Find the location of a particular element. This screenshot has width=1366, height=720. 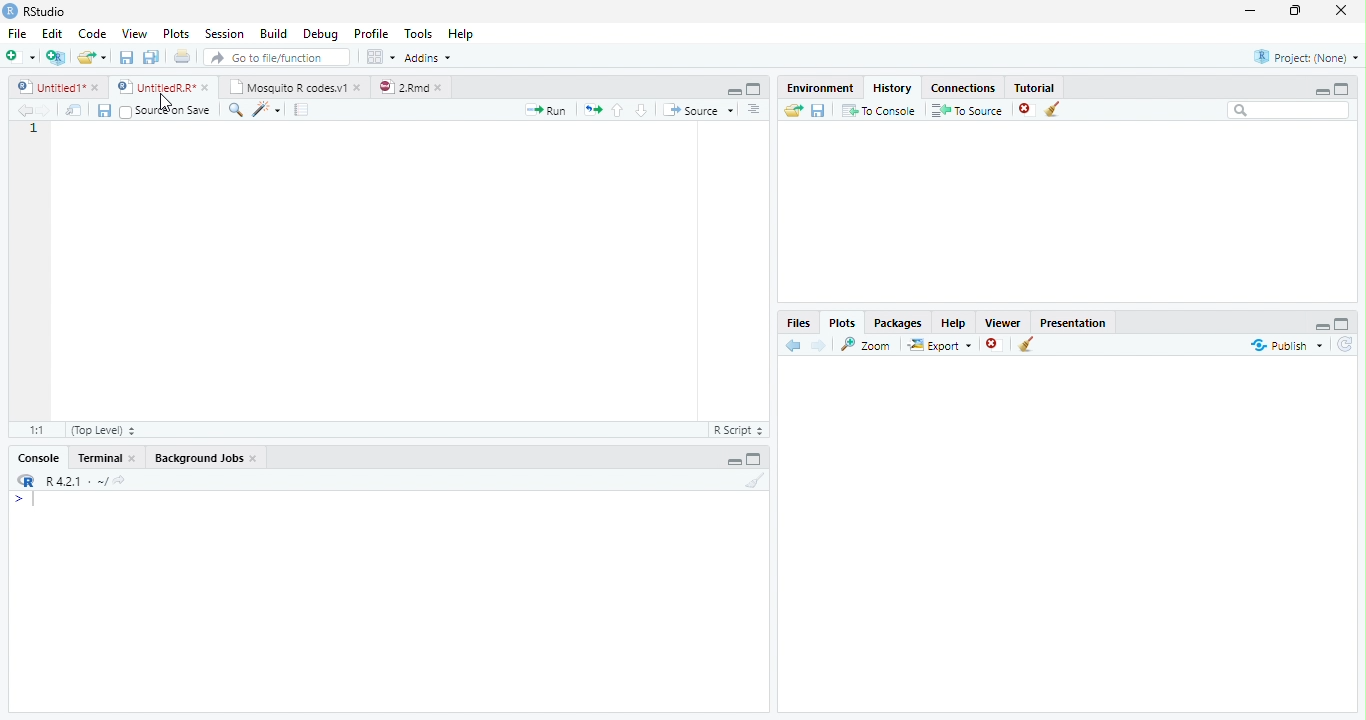

Go to next section of code is located at coordinates (642, 110).